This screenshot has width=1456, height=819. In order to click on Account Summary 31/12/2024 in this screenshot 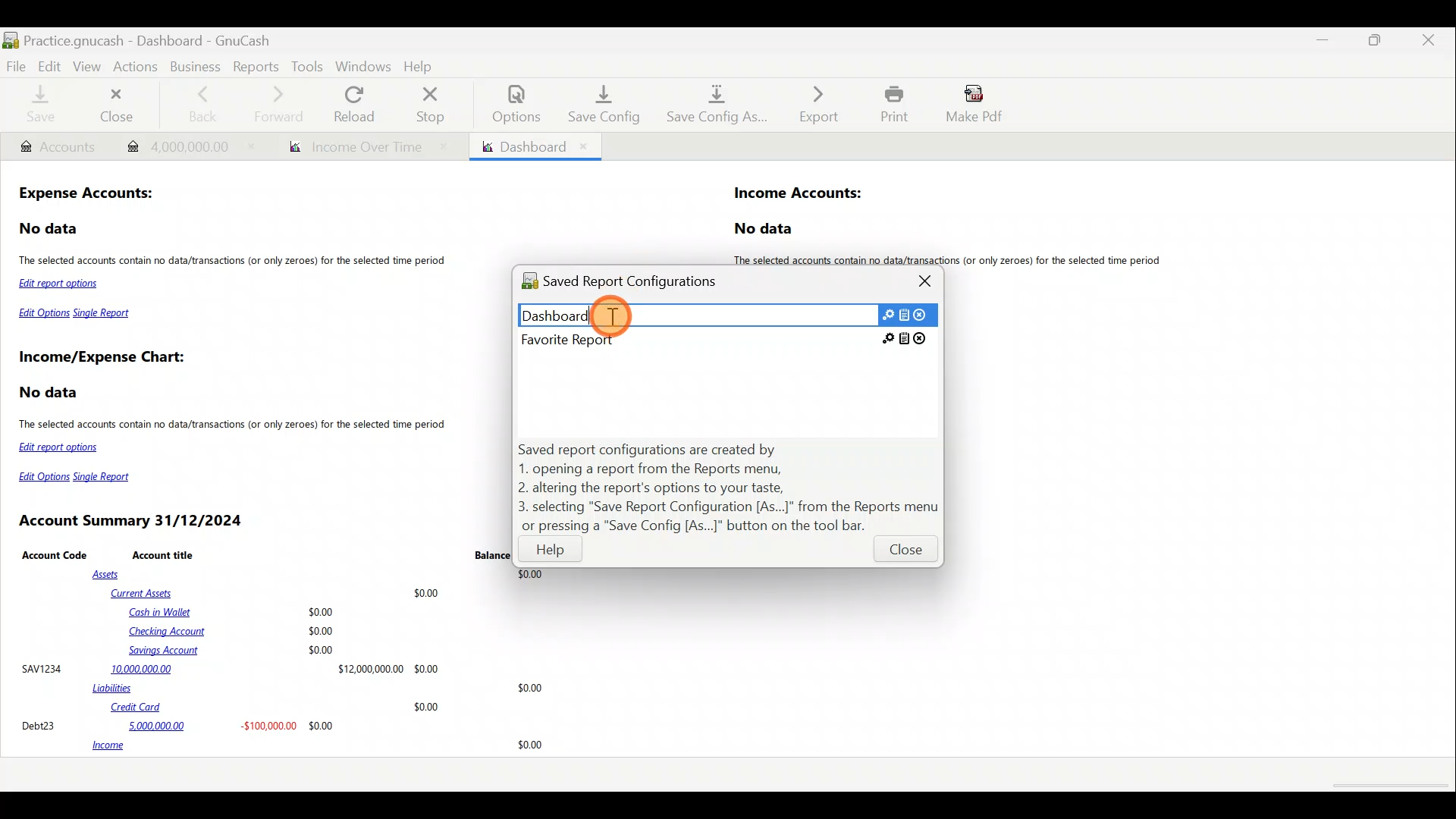, I will do `click(133, 521)`.